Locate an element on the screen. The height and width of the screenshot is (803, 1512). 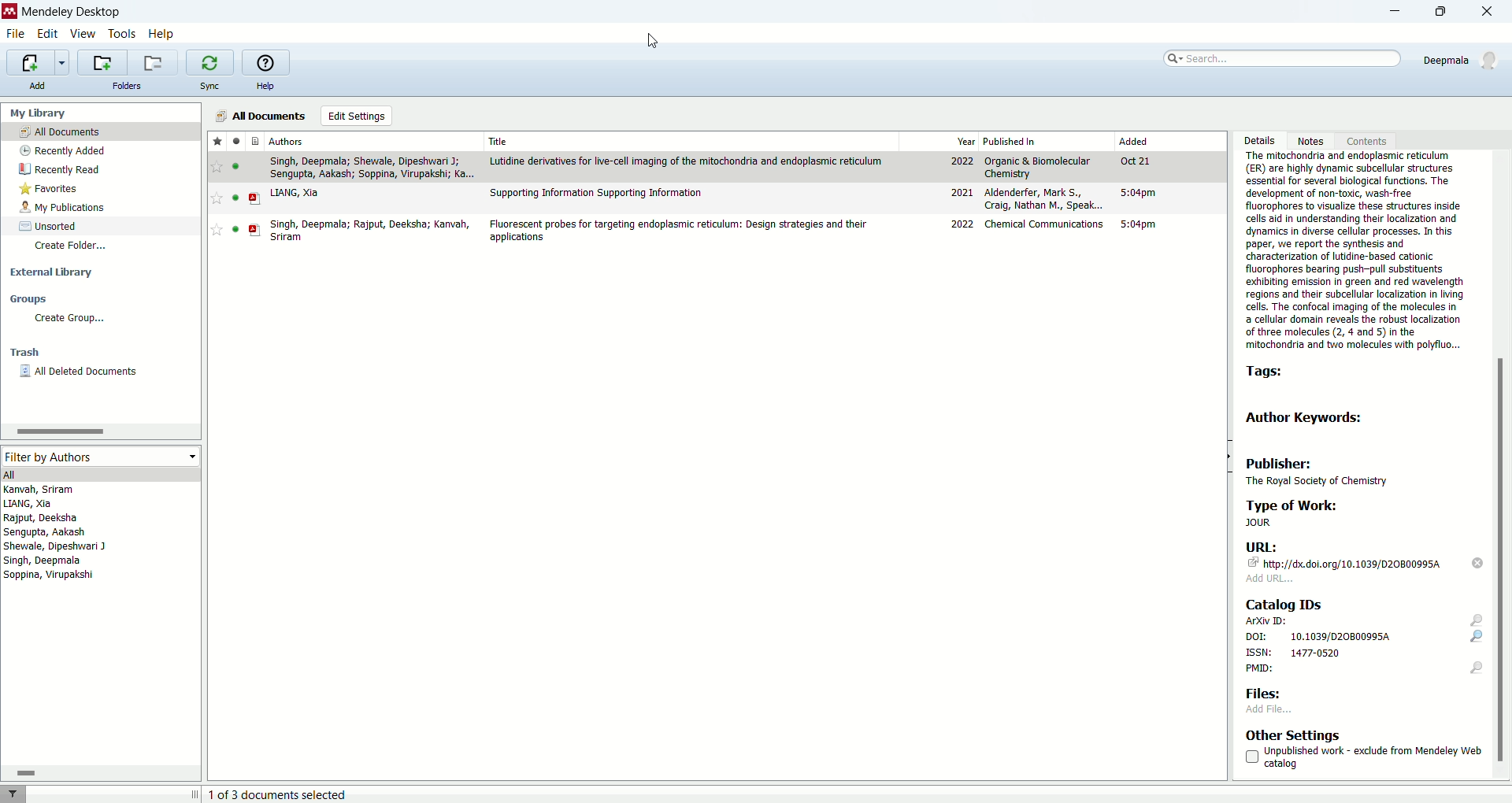
catalog IDs is located at coordinates (1282, 603).